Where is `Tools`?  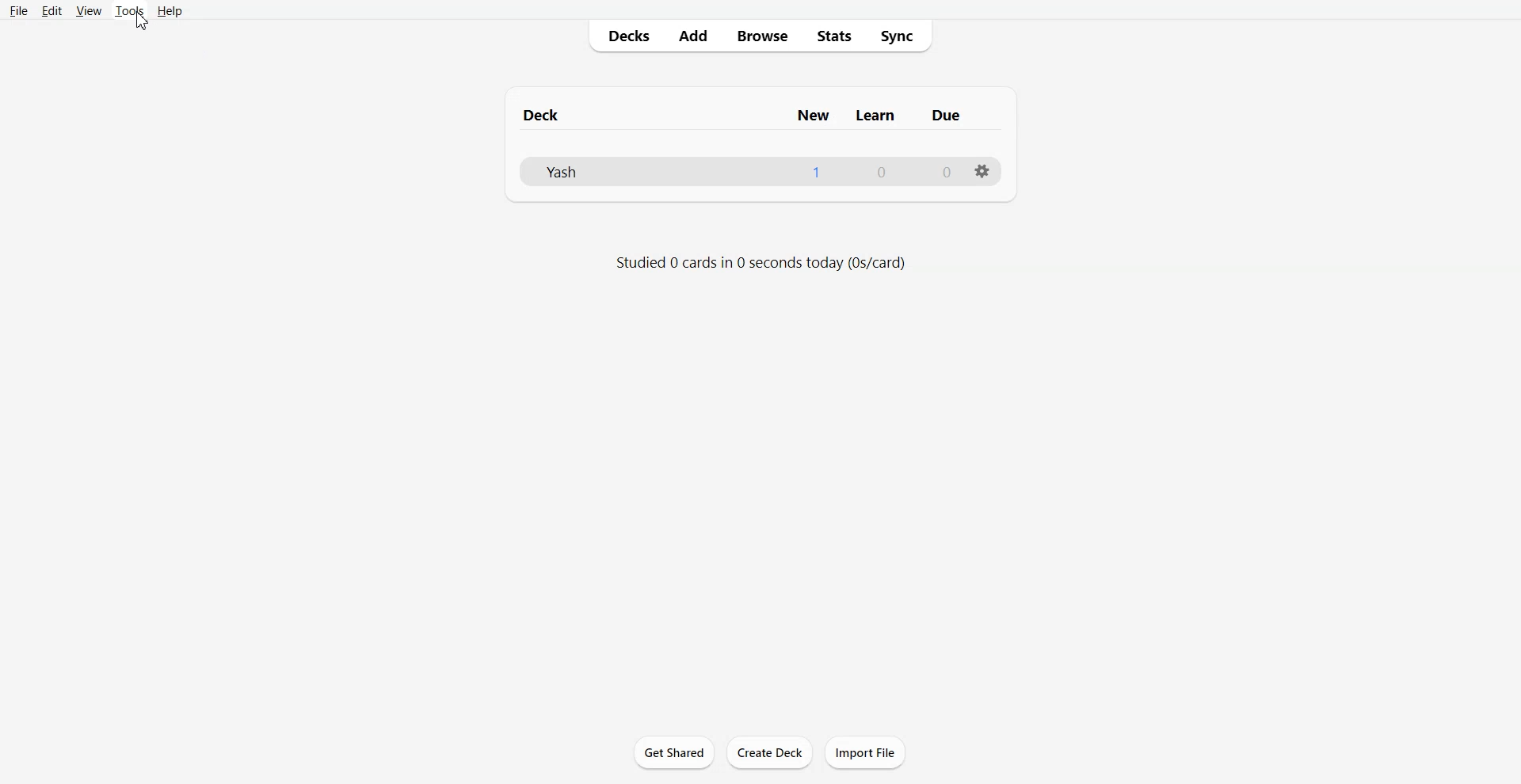
Tools is located at coordinates (130, 10).